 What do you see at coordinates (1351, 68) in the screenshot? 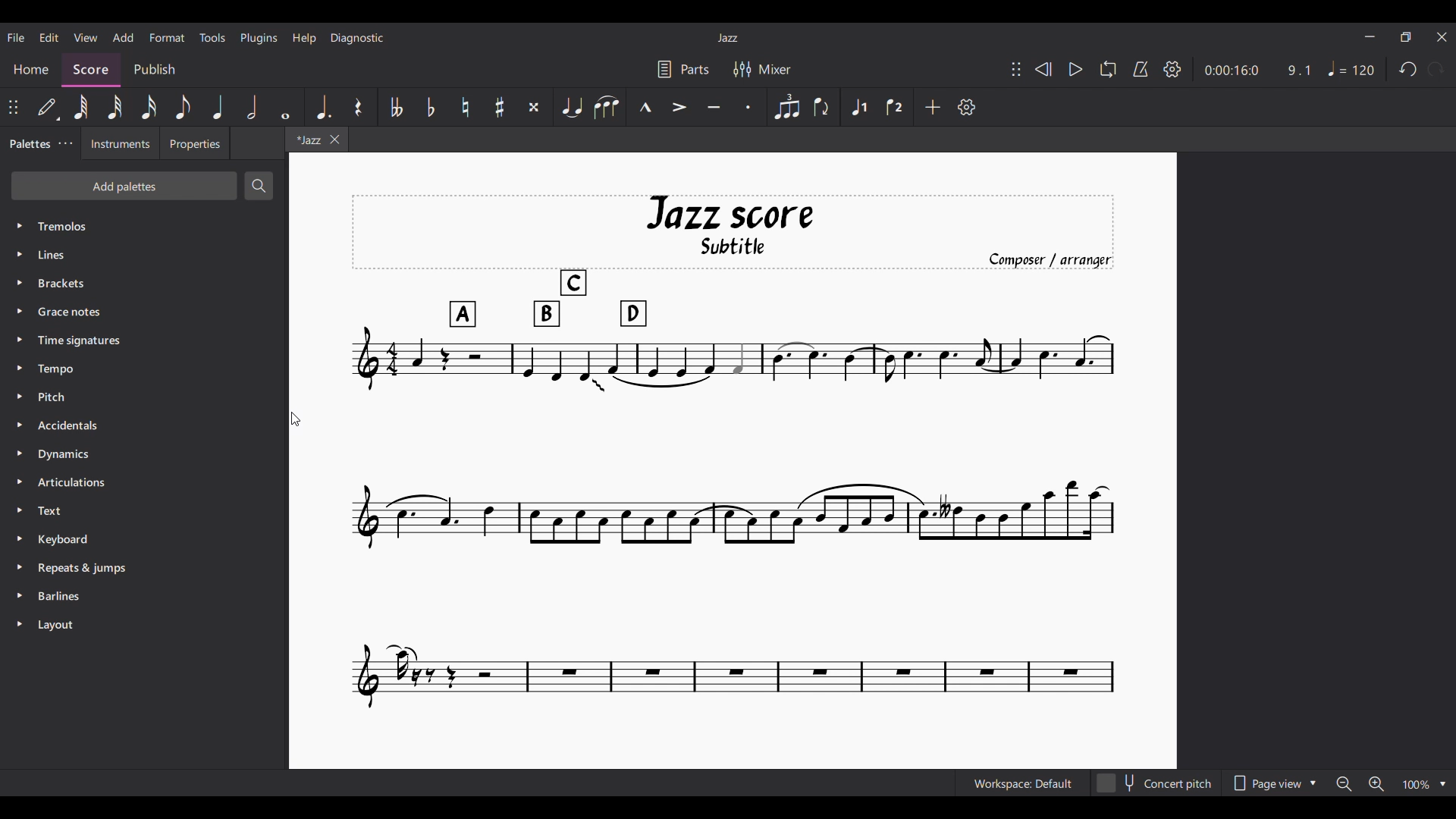
I see `Tempo` at bounding box center [1351, 68].